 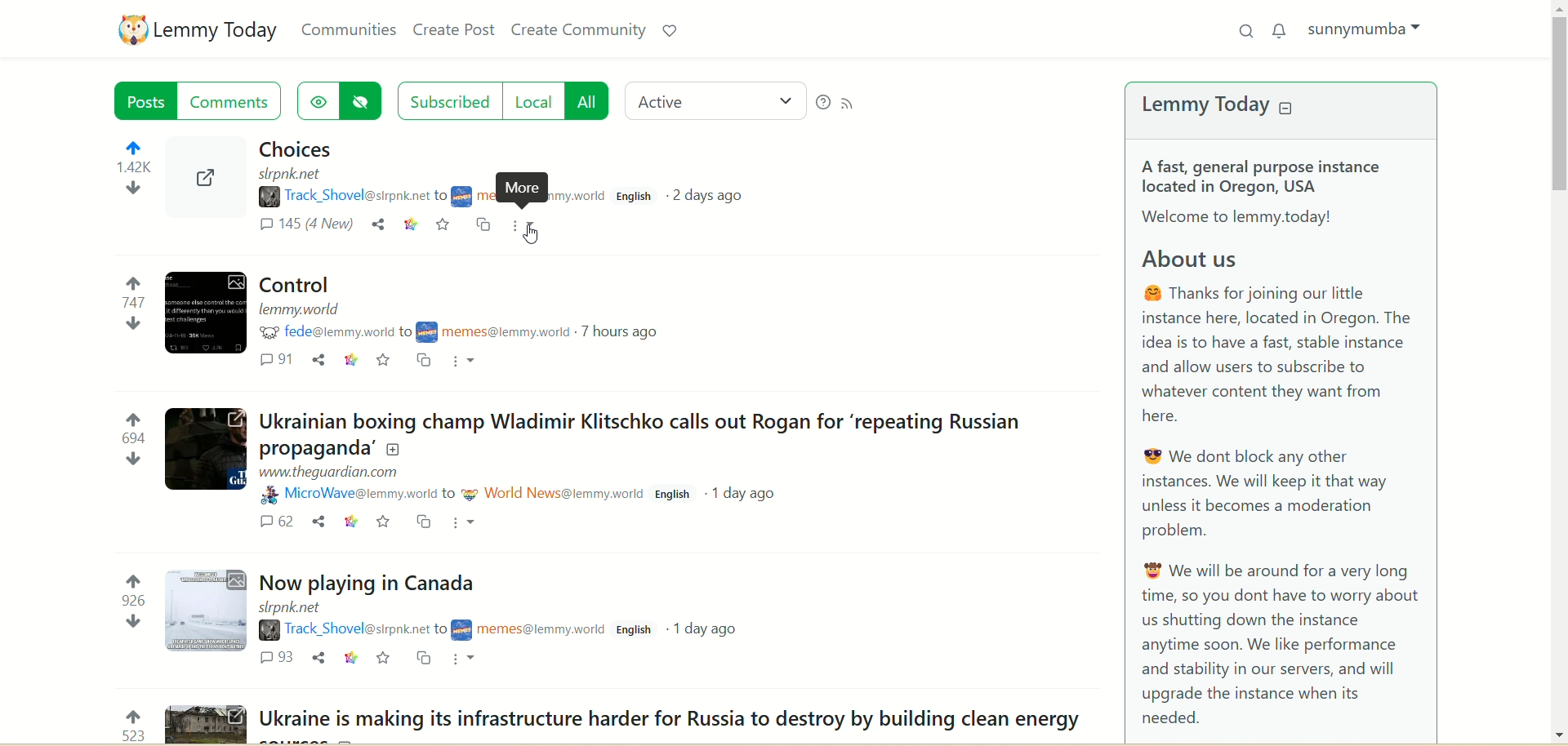 What do you see at coordinates (523, 193) in the screenshot?
I see `More description` at bounding box center [523, 193].